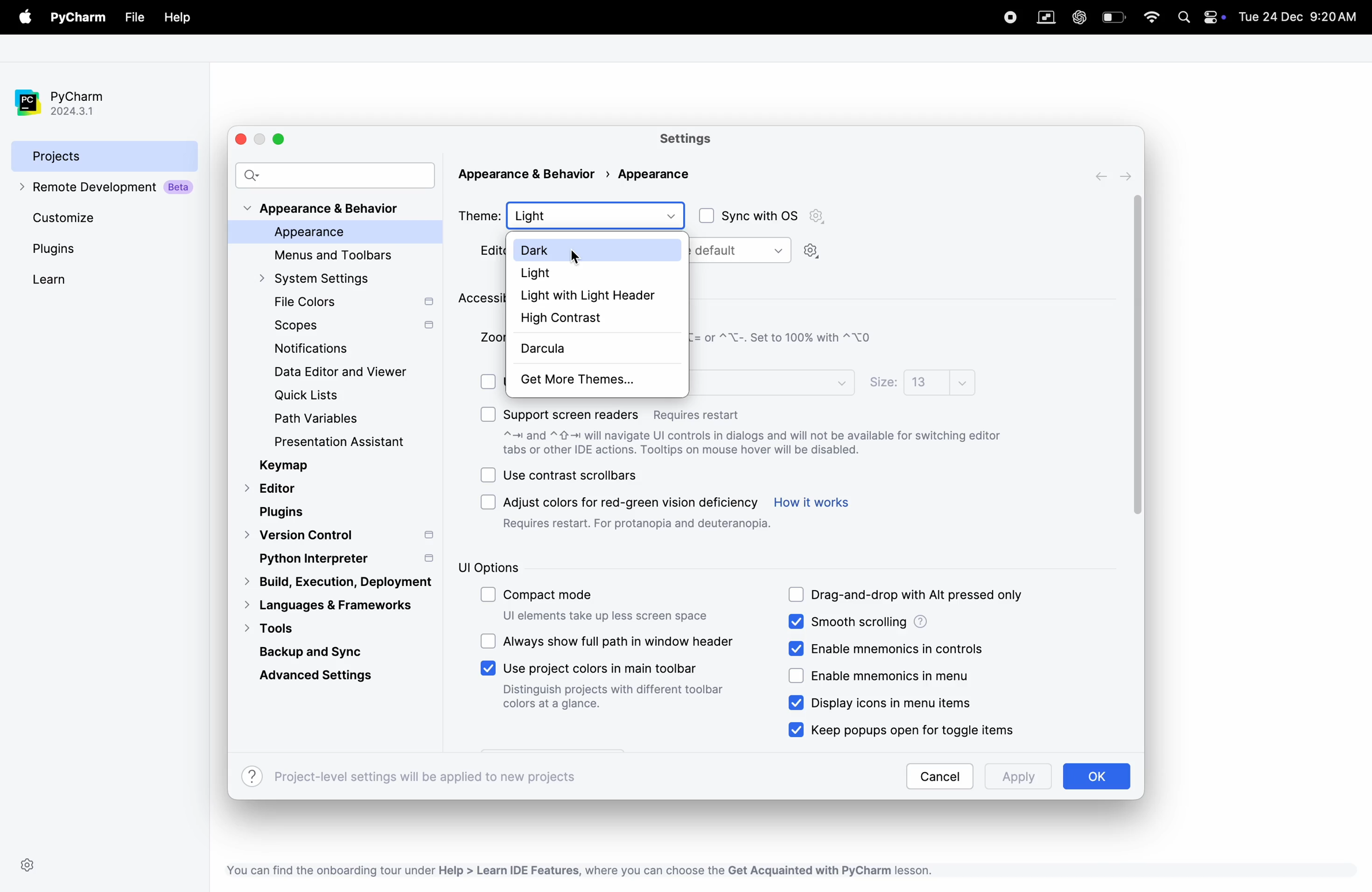 The width and height of the screenshot is (1372, 892). What do you see at coordinates (339, 536) in the screenshot?
I see `version control` at bounding box center [339, 536].